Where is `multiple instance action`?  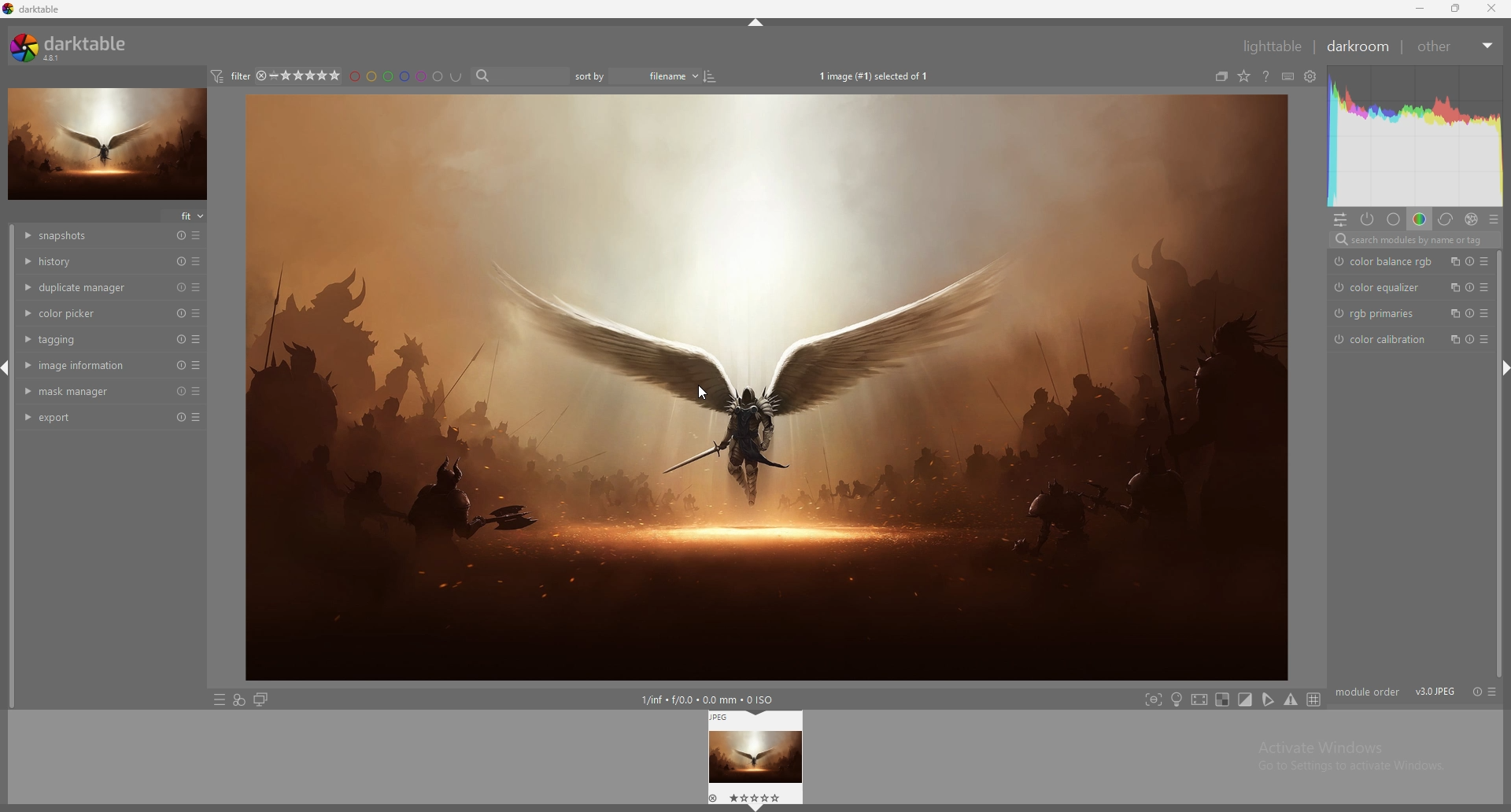
multiple instance action is located at coordinates (1454, 287).